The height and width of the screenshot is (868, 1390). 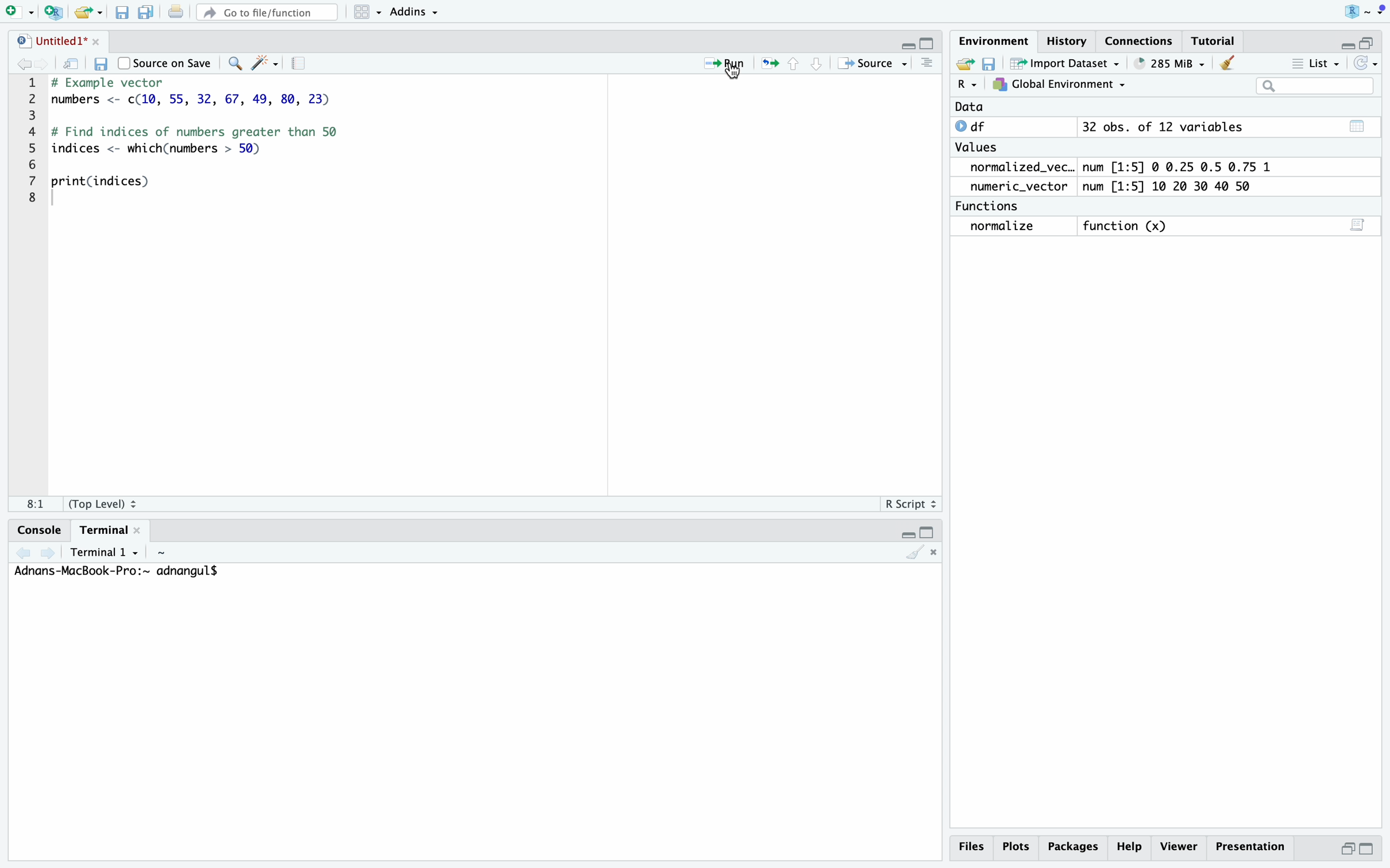 I want to click on maximise, so click(x=1368, y=848).